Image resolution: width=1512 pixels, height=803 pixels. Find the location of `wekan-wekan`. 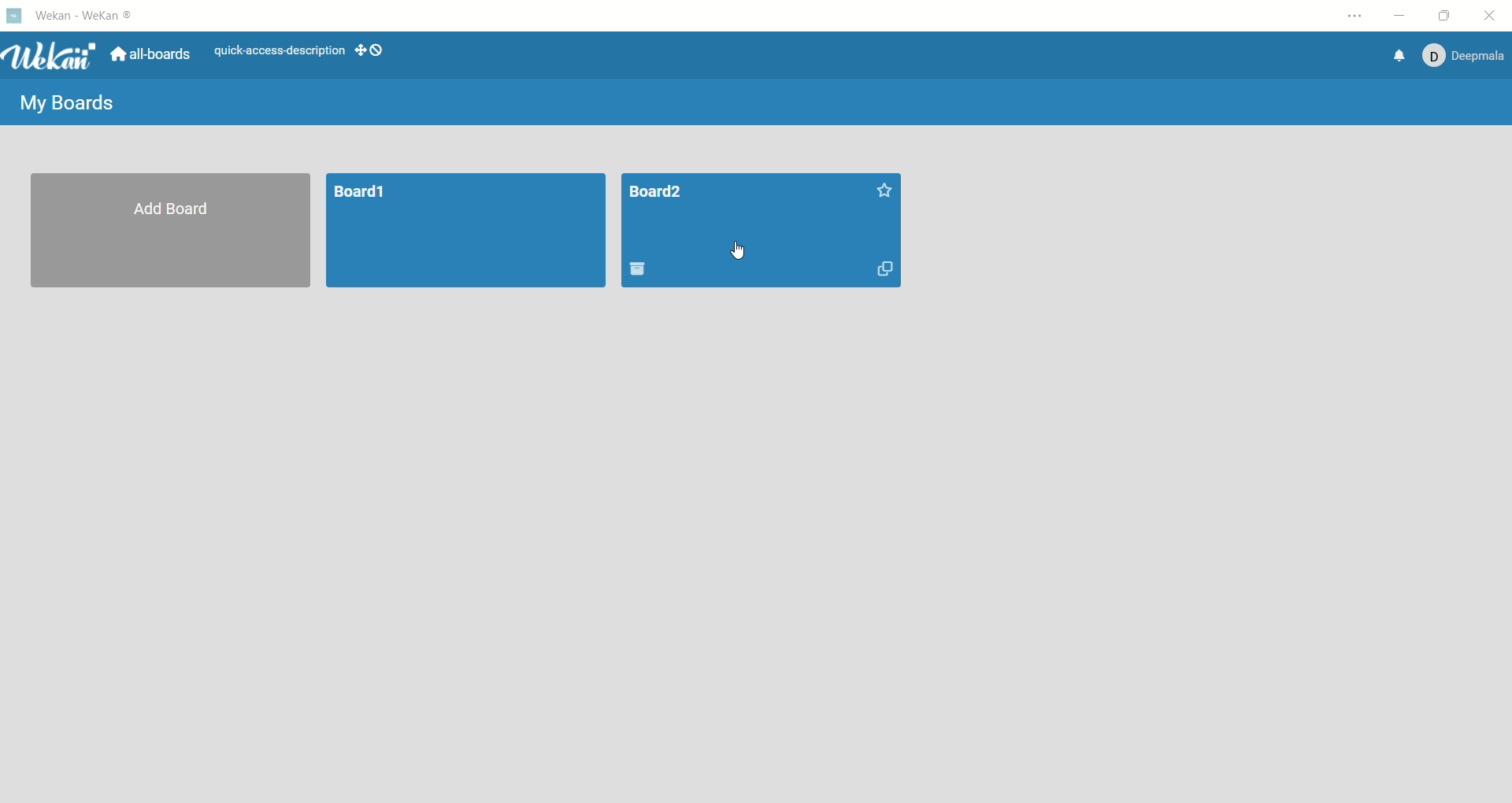

wekan-wekan is located at coordinates (88, 19).